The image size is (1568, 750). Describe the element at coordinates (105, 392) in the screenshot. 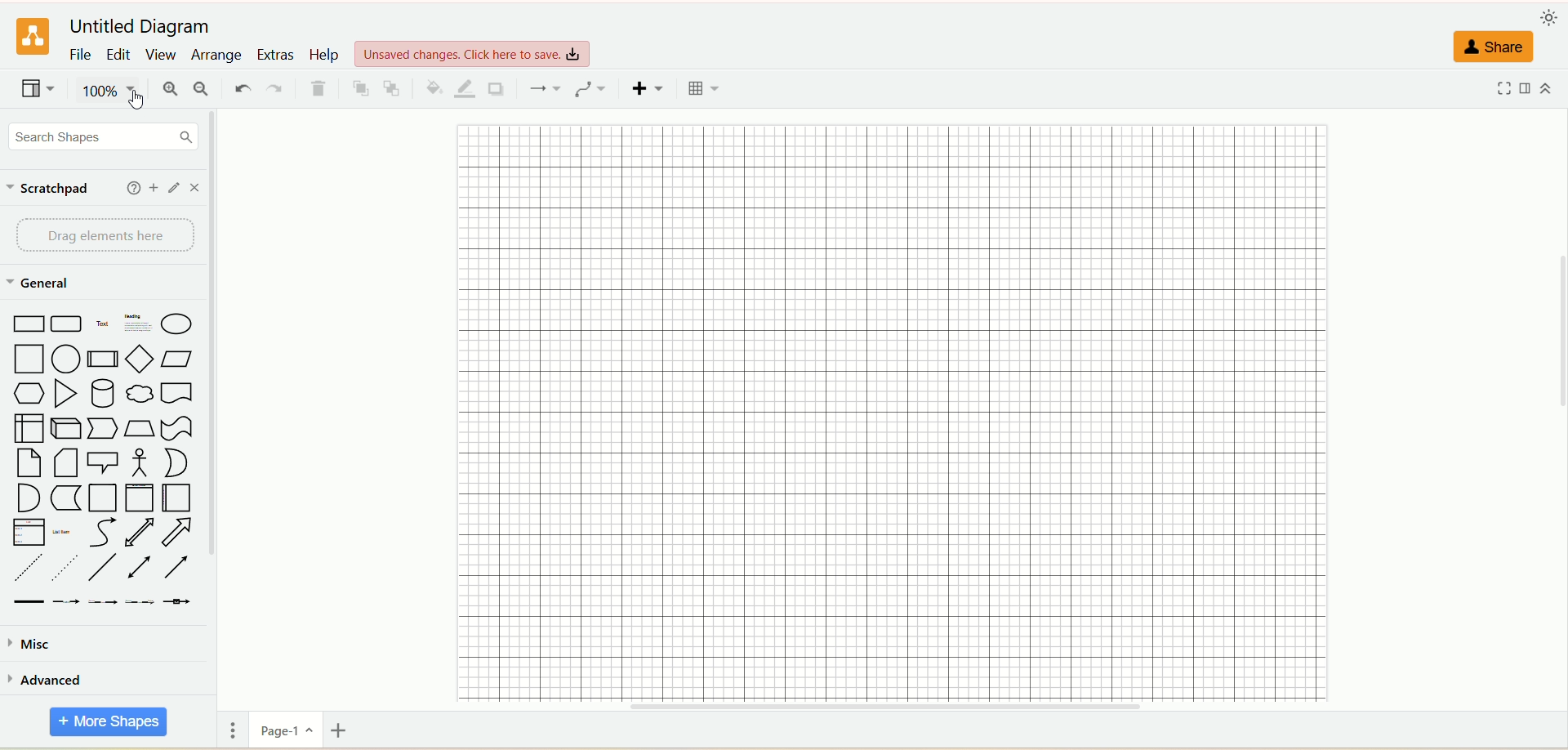

I see `cylinder` at that location.